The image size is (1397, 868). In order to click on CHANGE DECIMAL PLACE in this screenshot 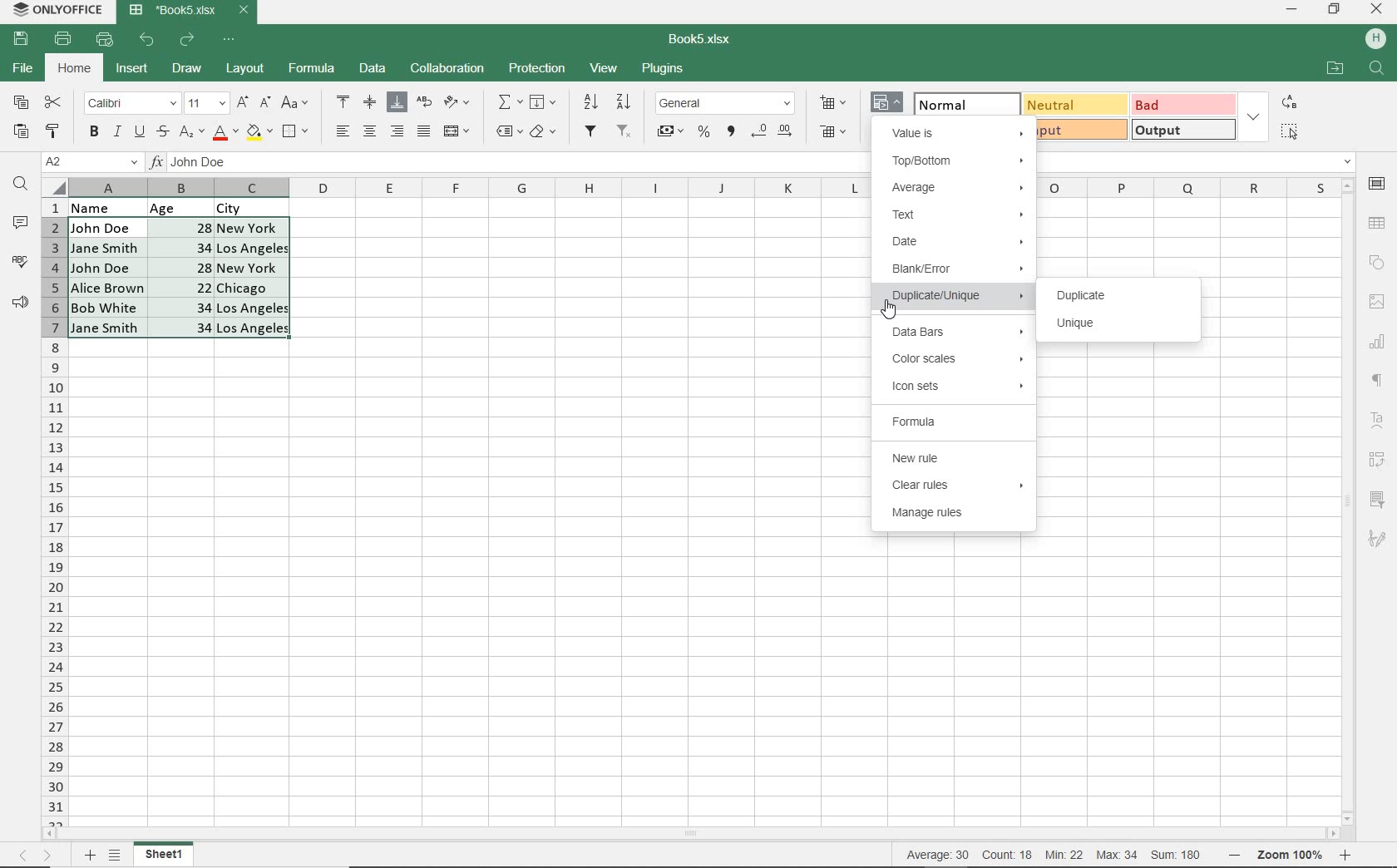, I will do `click(771, 132)`.